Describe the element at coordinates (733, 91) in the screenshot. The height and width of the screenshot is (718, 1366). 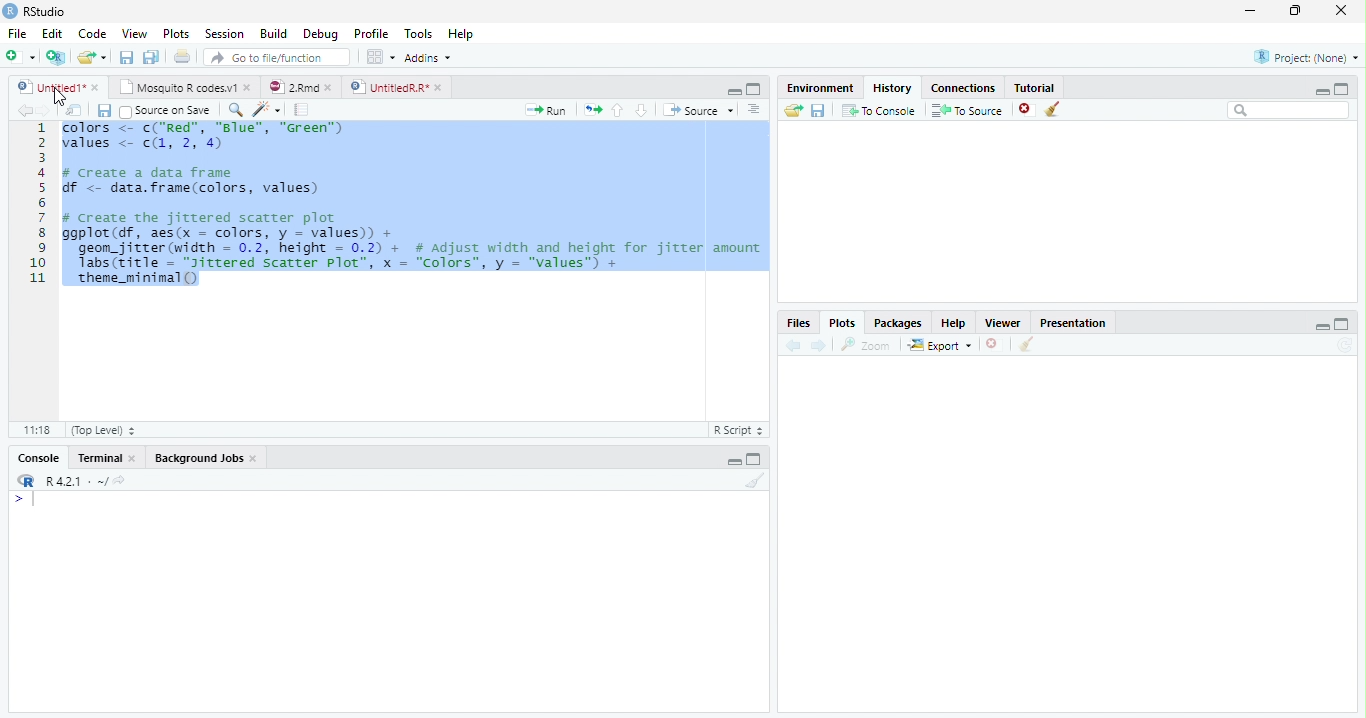
I see `Minimize` at that location.